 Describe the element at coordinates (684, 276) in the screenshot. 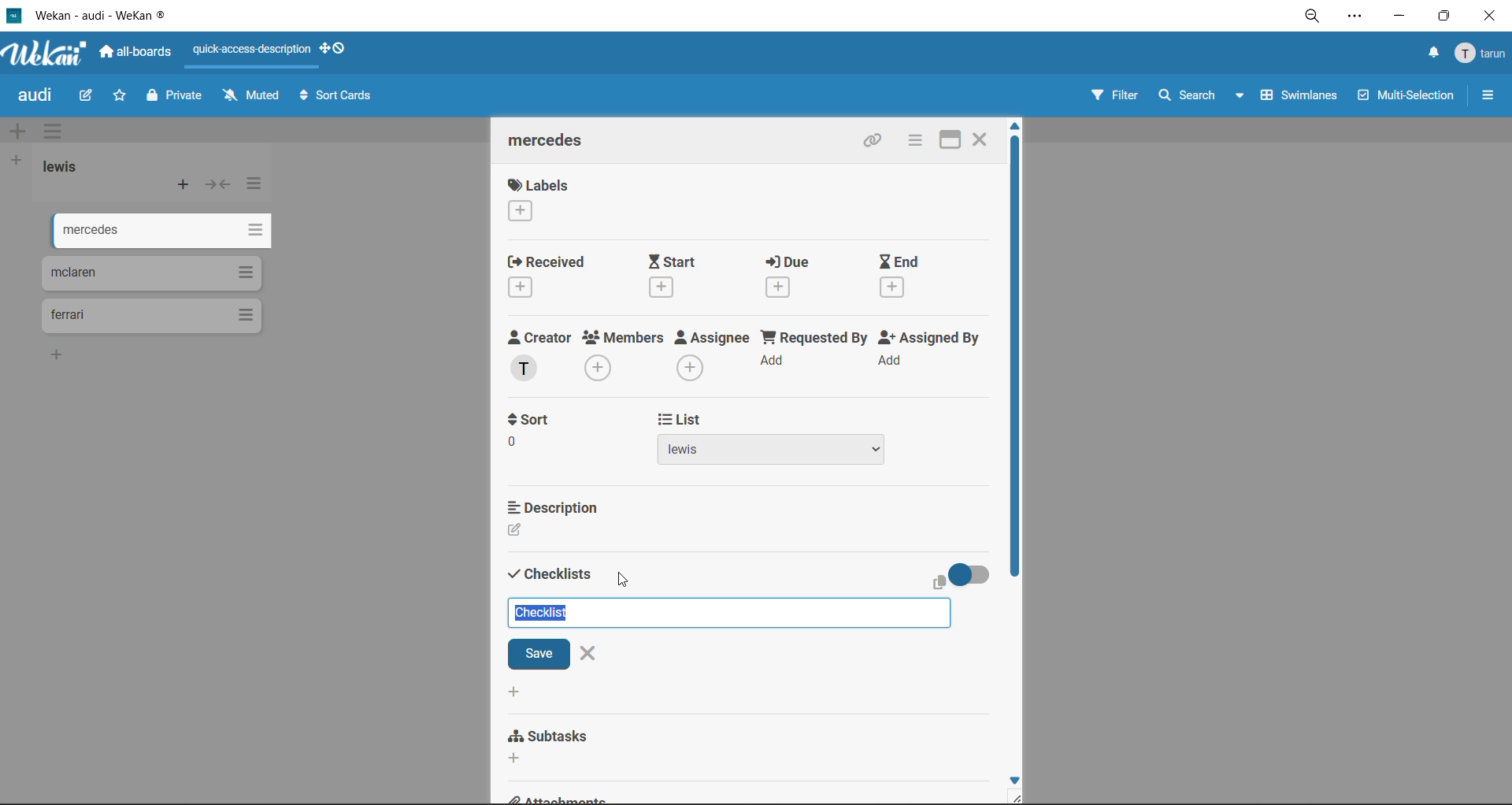

I see `start` at that location.